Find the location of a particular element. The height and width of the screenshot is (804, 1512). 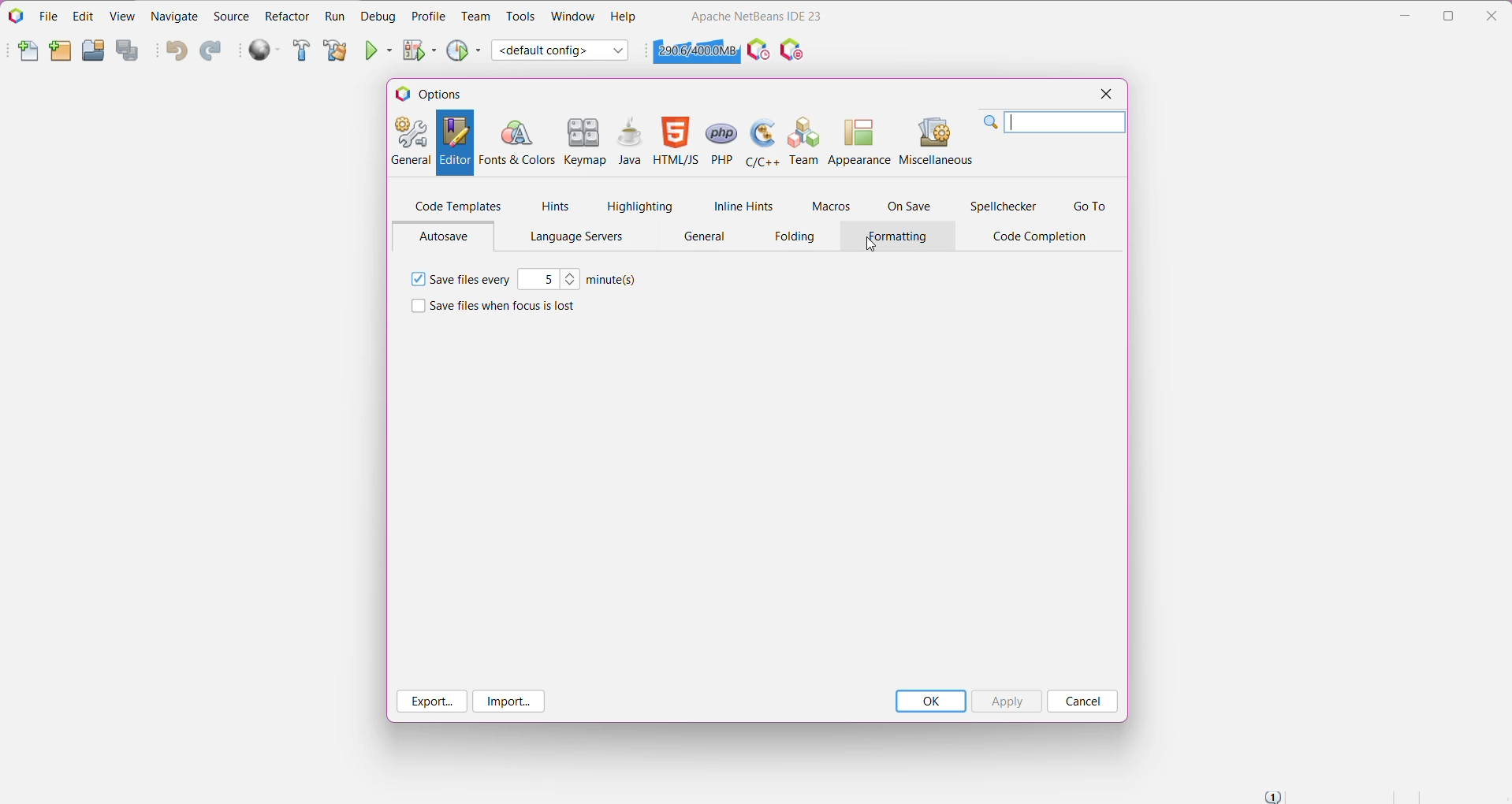

Team is located at coordinates (476, 17).